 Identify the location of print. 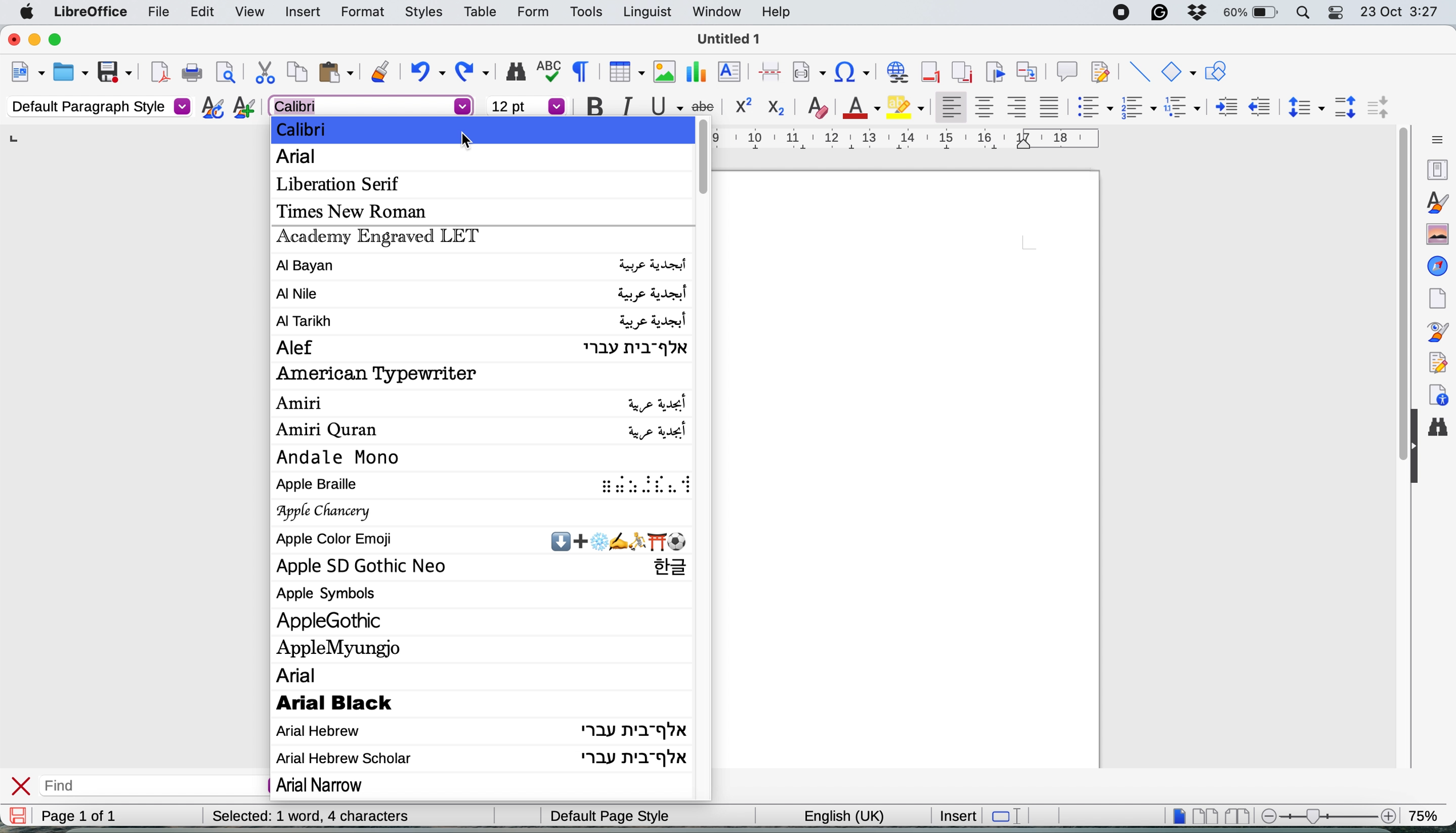
(191, 74).